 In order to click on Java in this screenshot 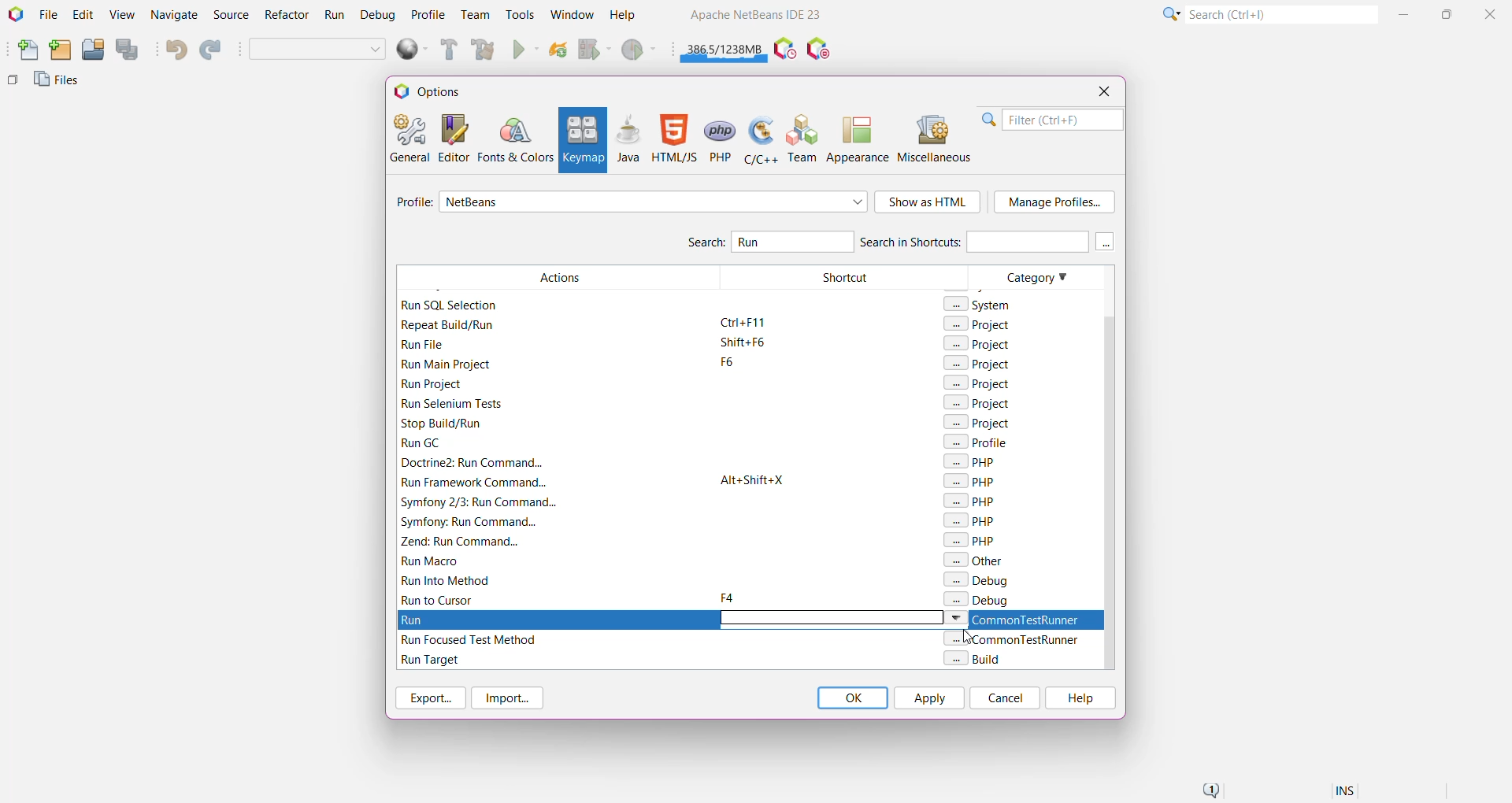, I will do `click(628, 139)`.